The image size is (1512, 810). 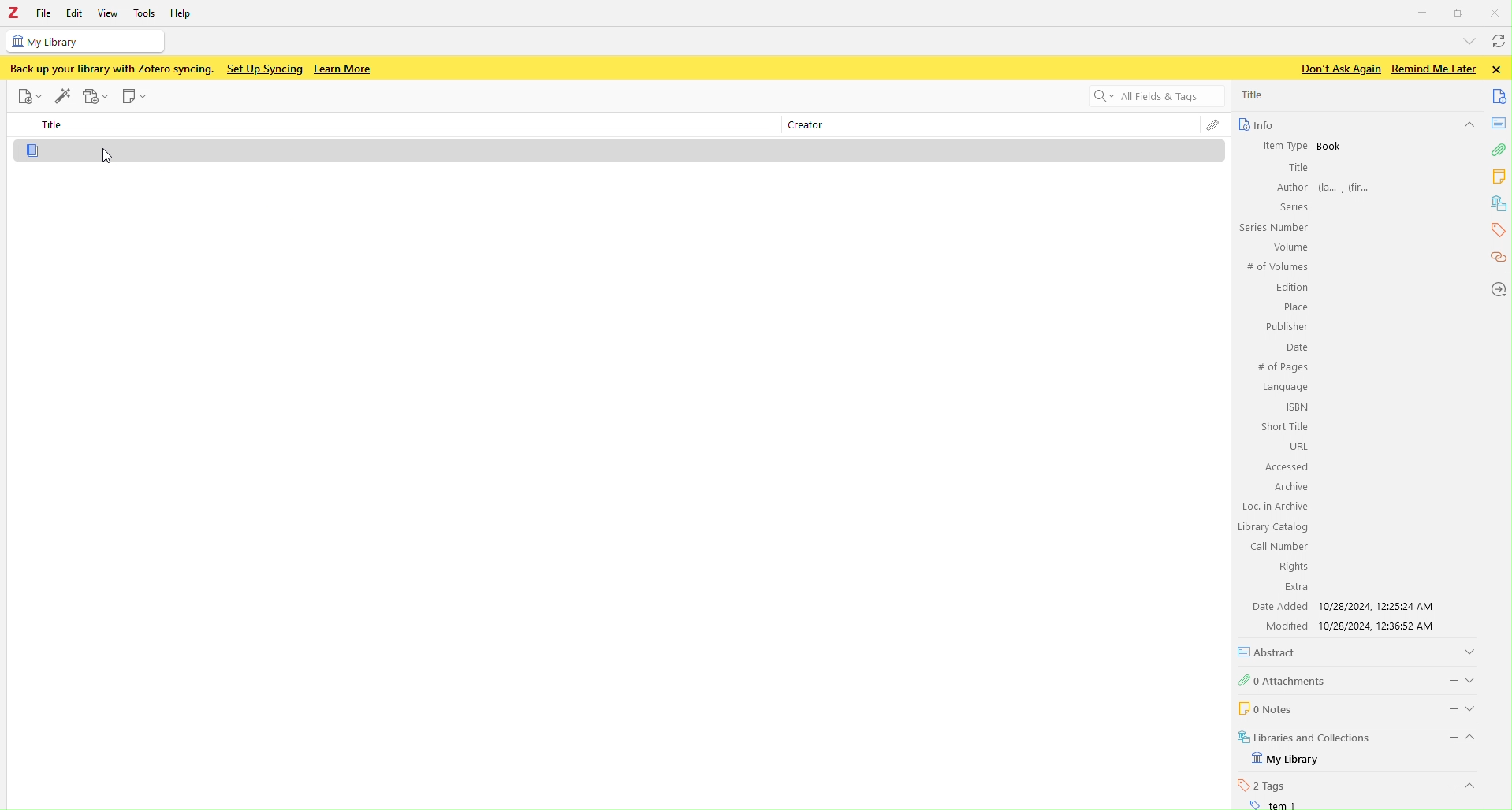 I want to click on edit, so click(x=62, y=94).